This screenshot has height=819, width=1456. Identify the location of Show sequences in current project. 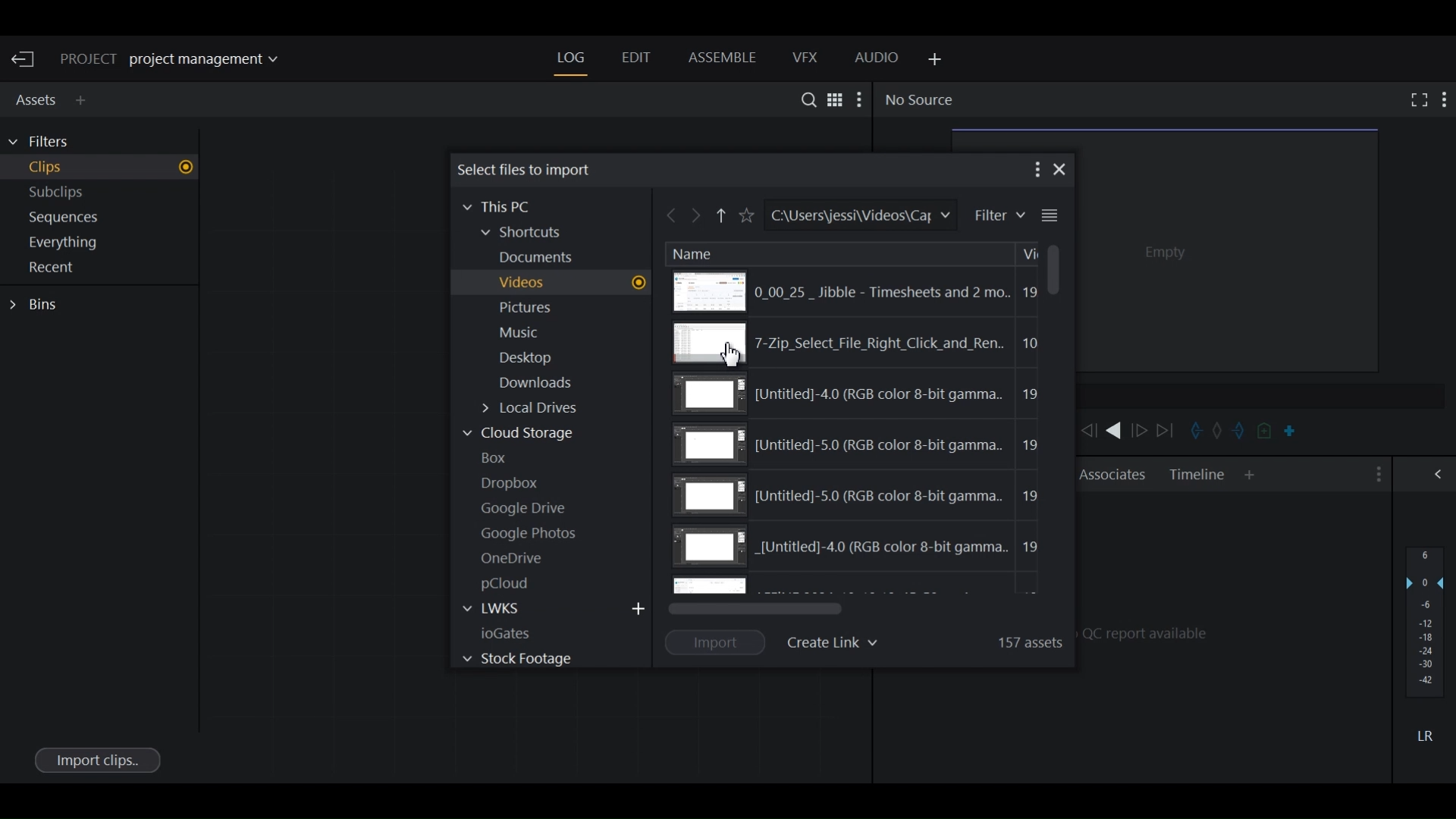
(103, 219).